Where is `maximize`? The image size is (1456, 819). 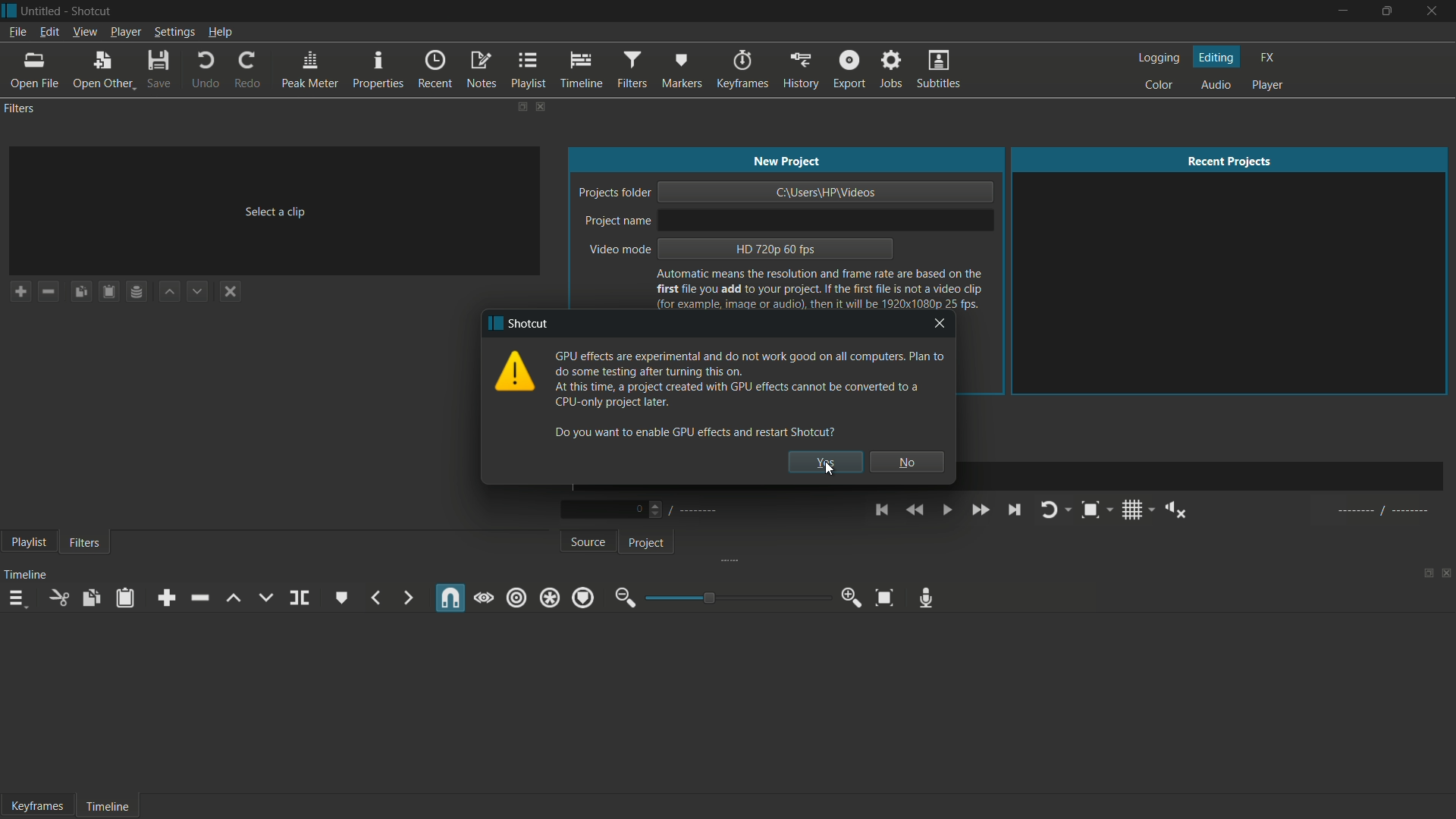 maximize is located at coordinates (1385, 11).